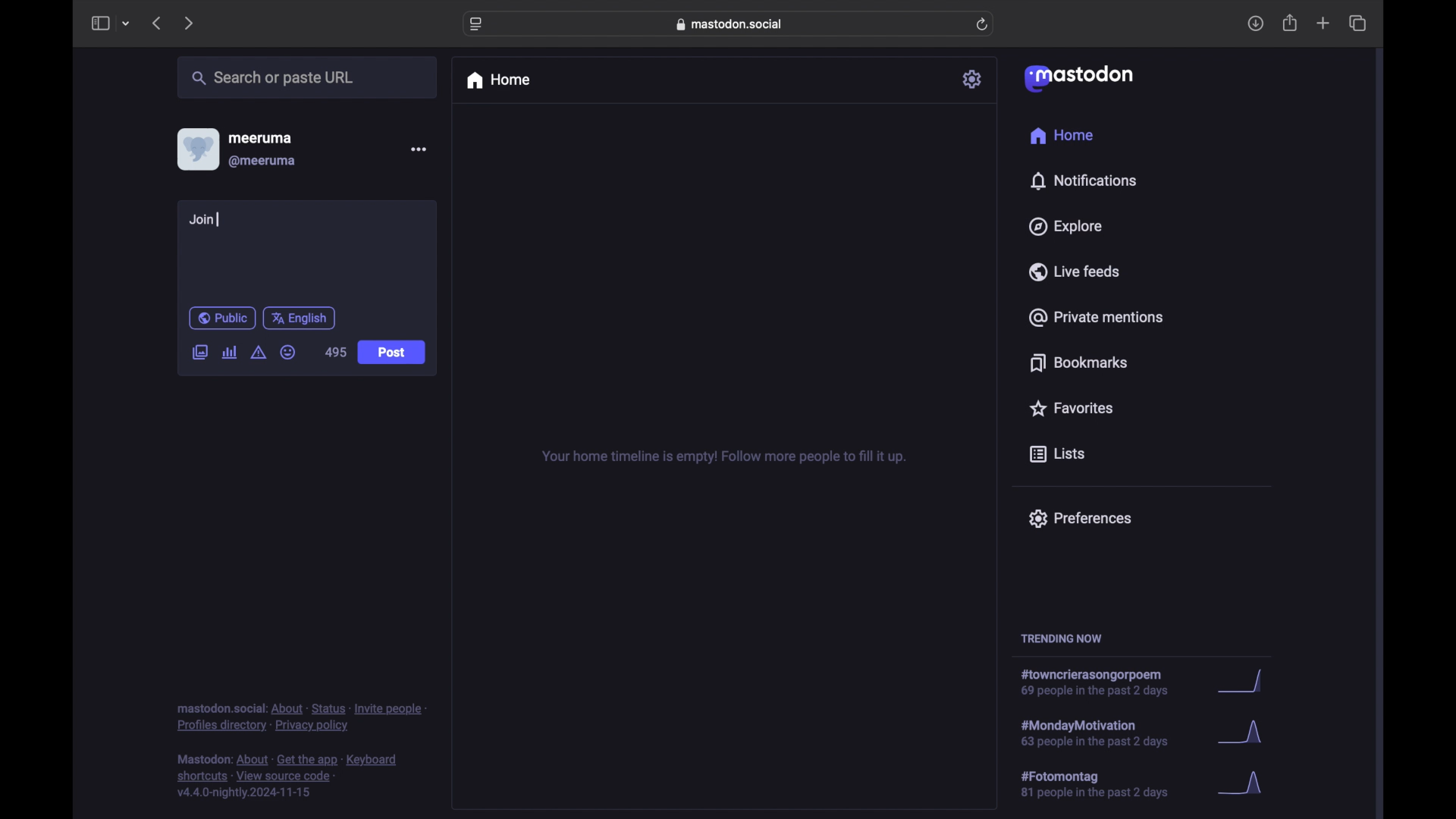 The image size is (1456, 819). Describe the element at coordinates (1057, 455) in the screenshot. I see `lists` at that location.